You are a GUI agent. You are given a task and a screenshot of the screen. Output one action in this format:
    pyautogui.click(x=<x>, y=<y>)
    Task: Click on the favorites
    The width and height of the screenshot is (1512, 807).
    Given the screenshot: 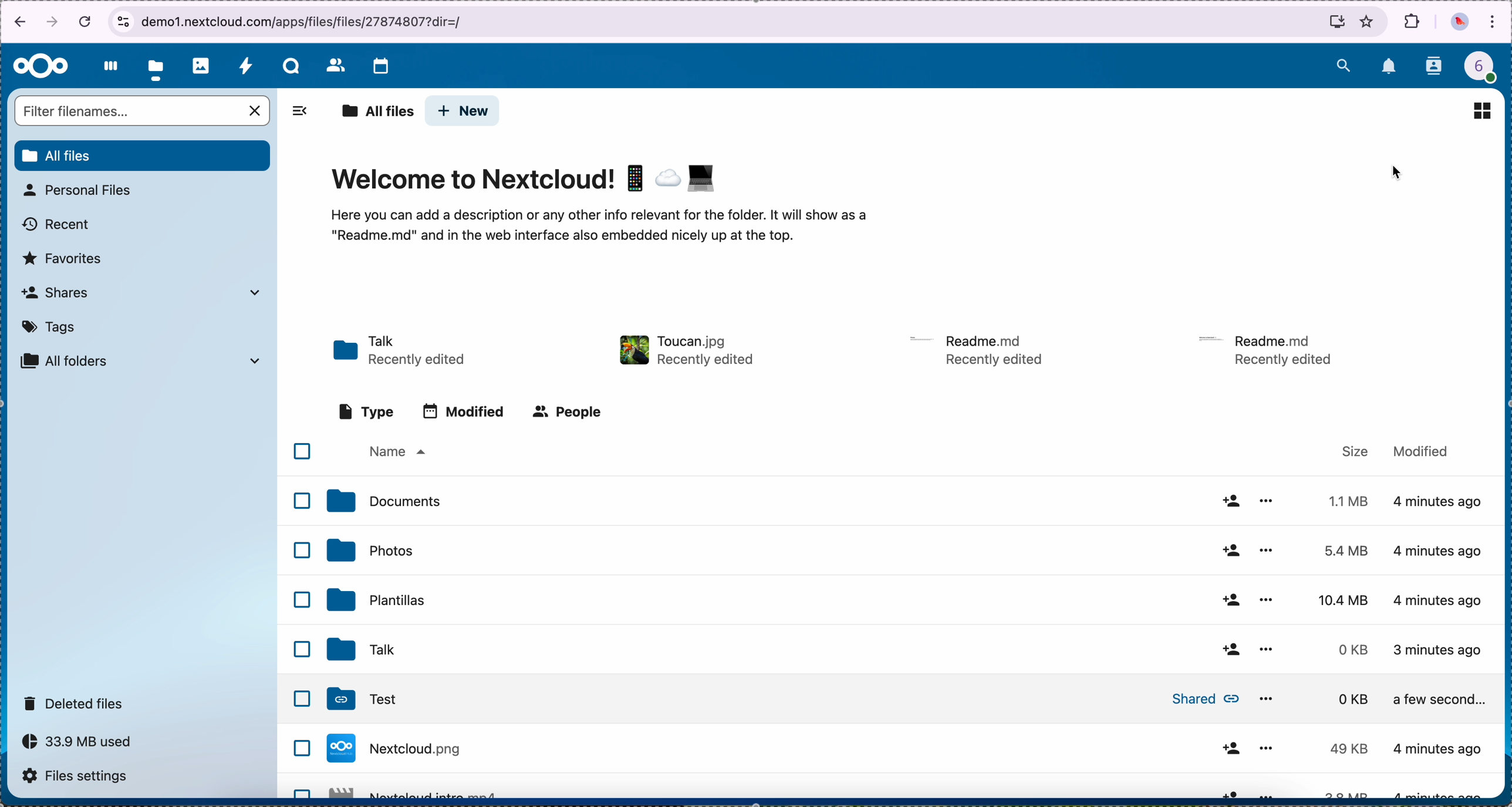 What is the action you would take?
    pyautogui.click(x=63, y=259)
    